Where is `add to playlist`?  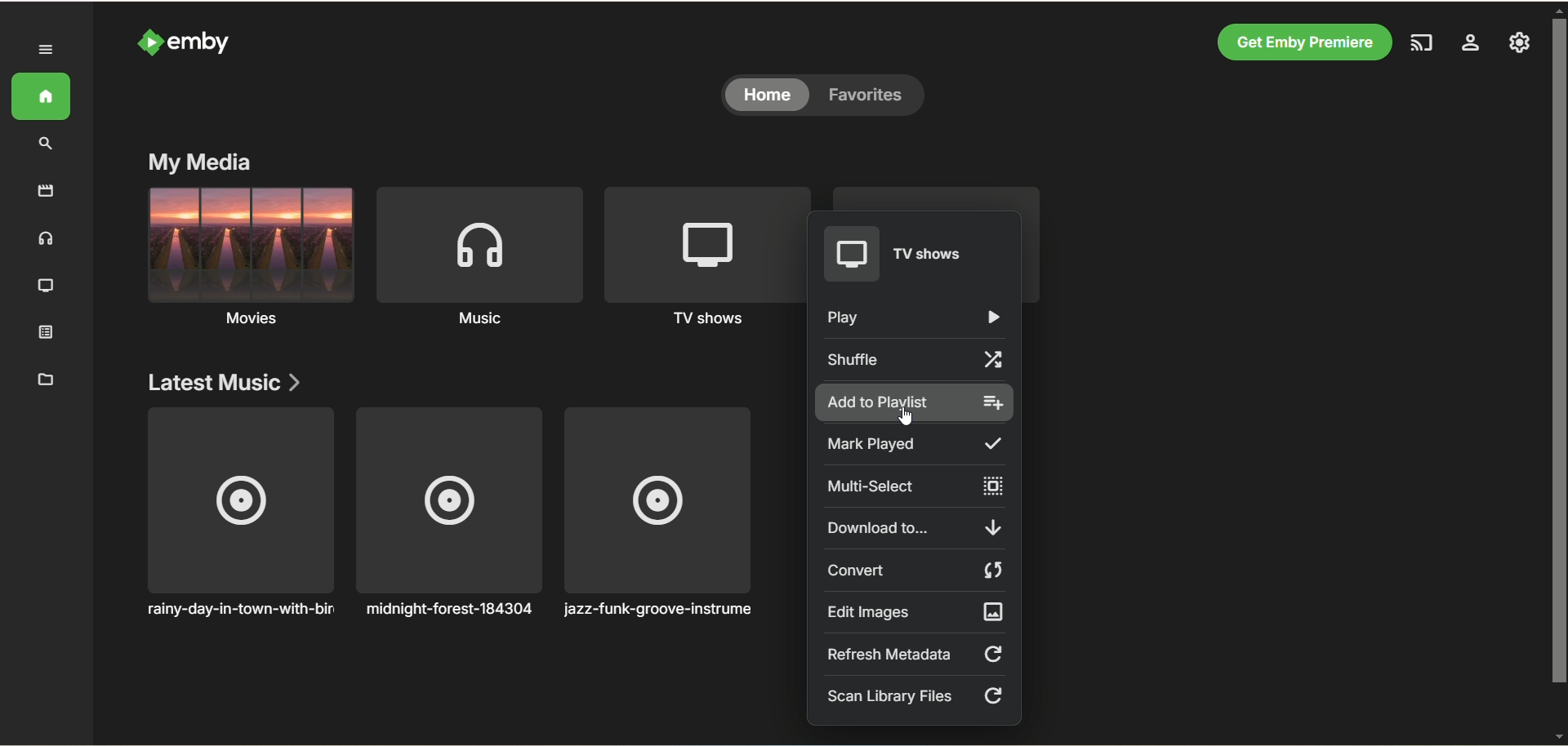 add to playlist is located at coordinates (915, 402).